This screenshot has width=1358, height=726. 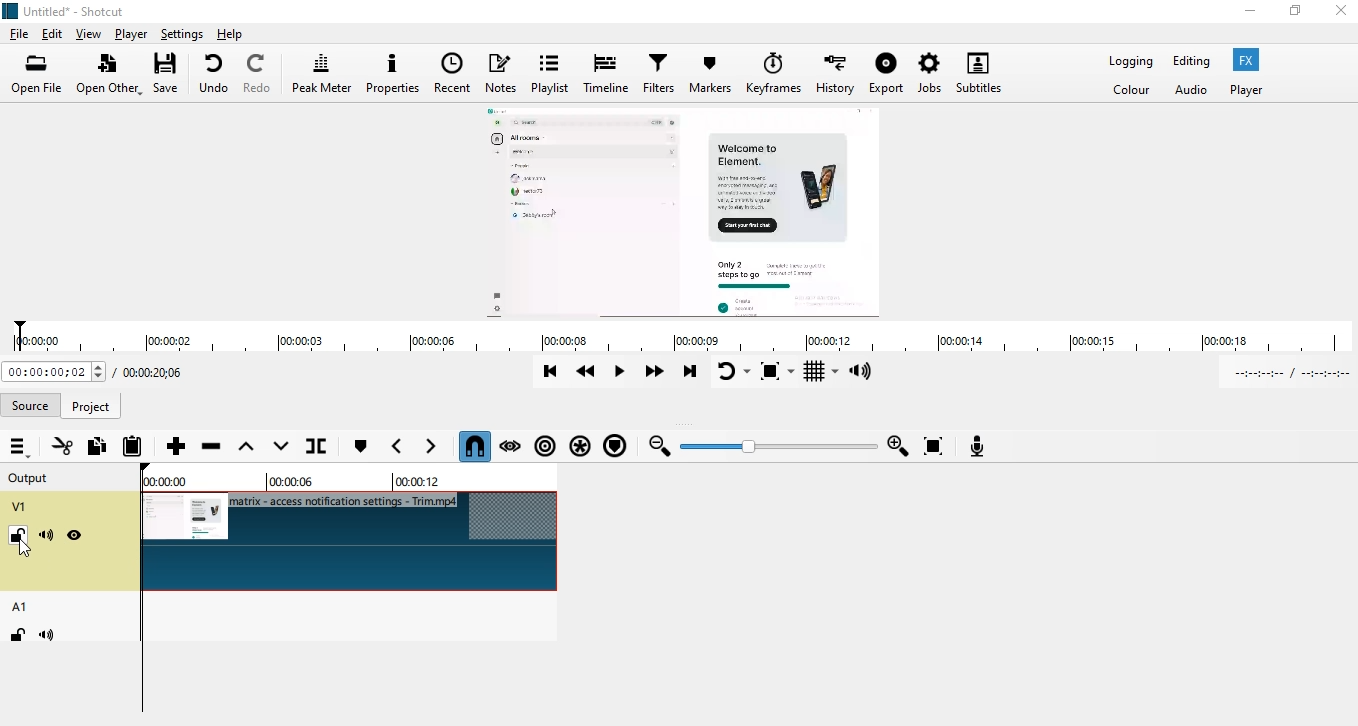 What do you see at coordinates (978, 445) in the screenshot?
I see `record audio` at bounding box center [978, 445].